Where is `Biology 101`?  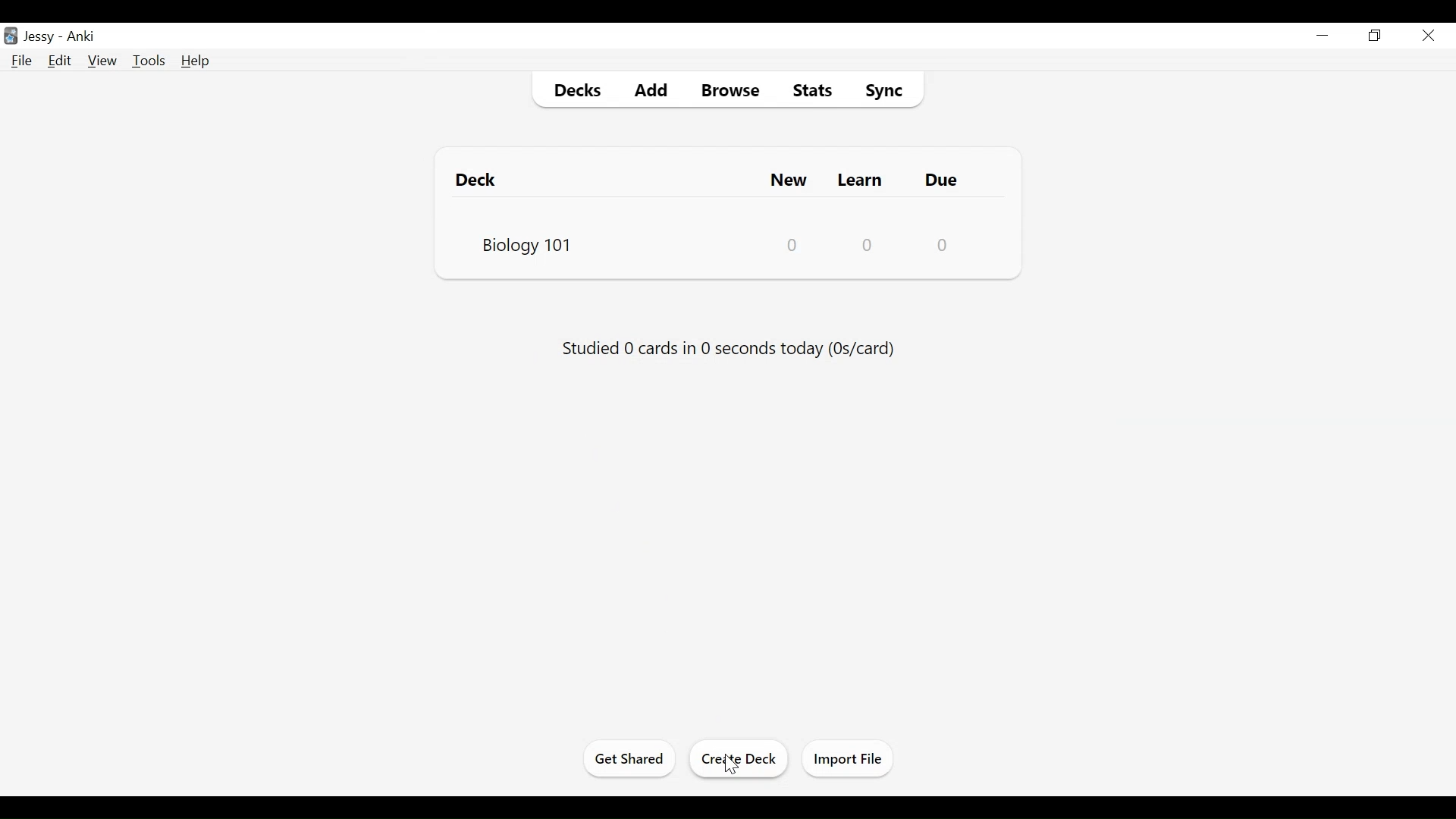
Biology 101 is located at coordinates (526, 243).